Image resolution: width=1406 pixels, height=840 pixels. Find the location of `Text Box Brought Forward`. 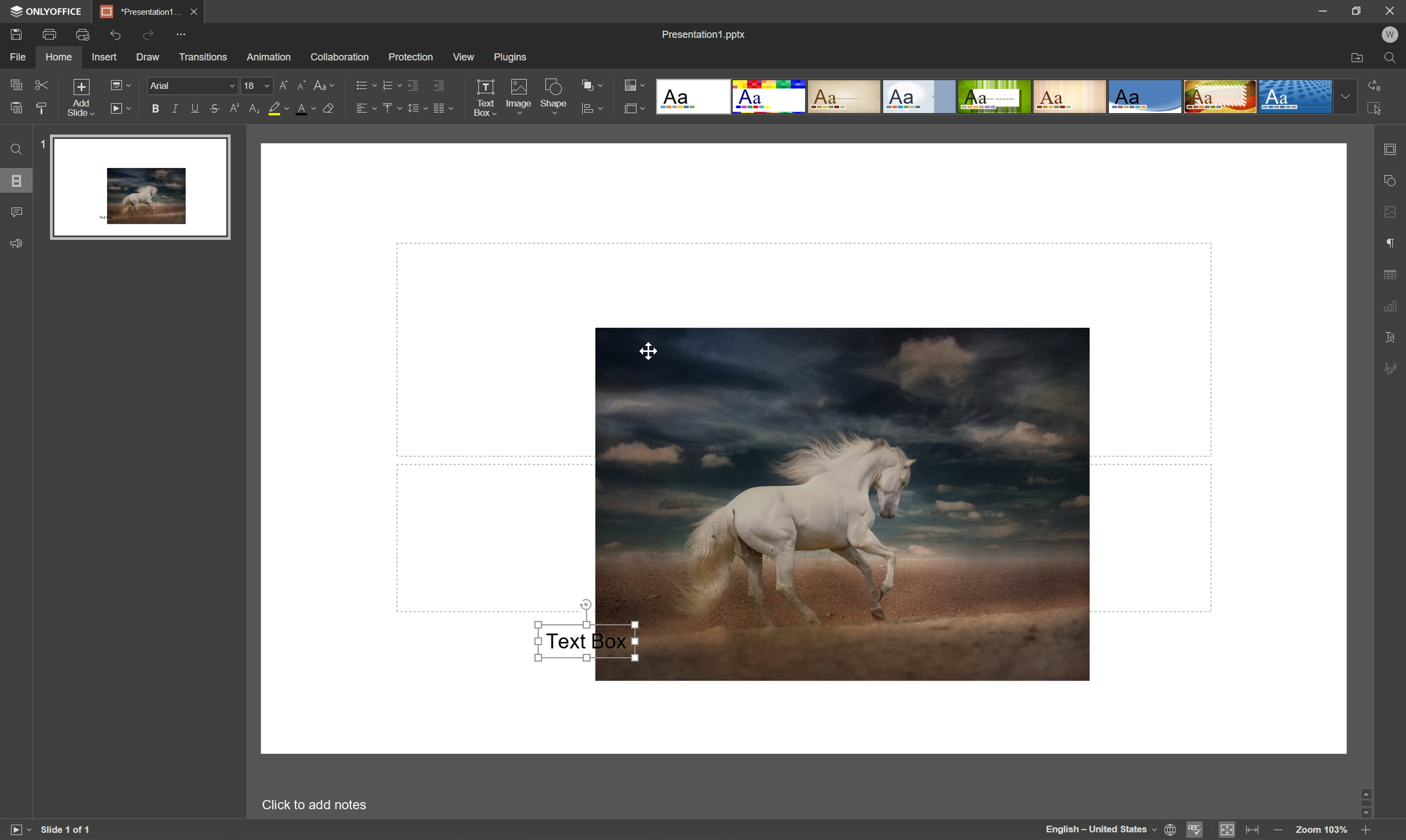

Text Box Brought Forward is located at coordinates (584, 641).